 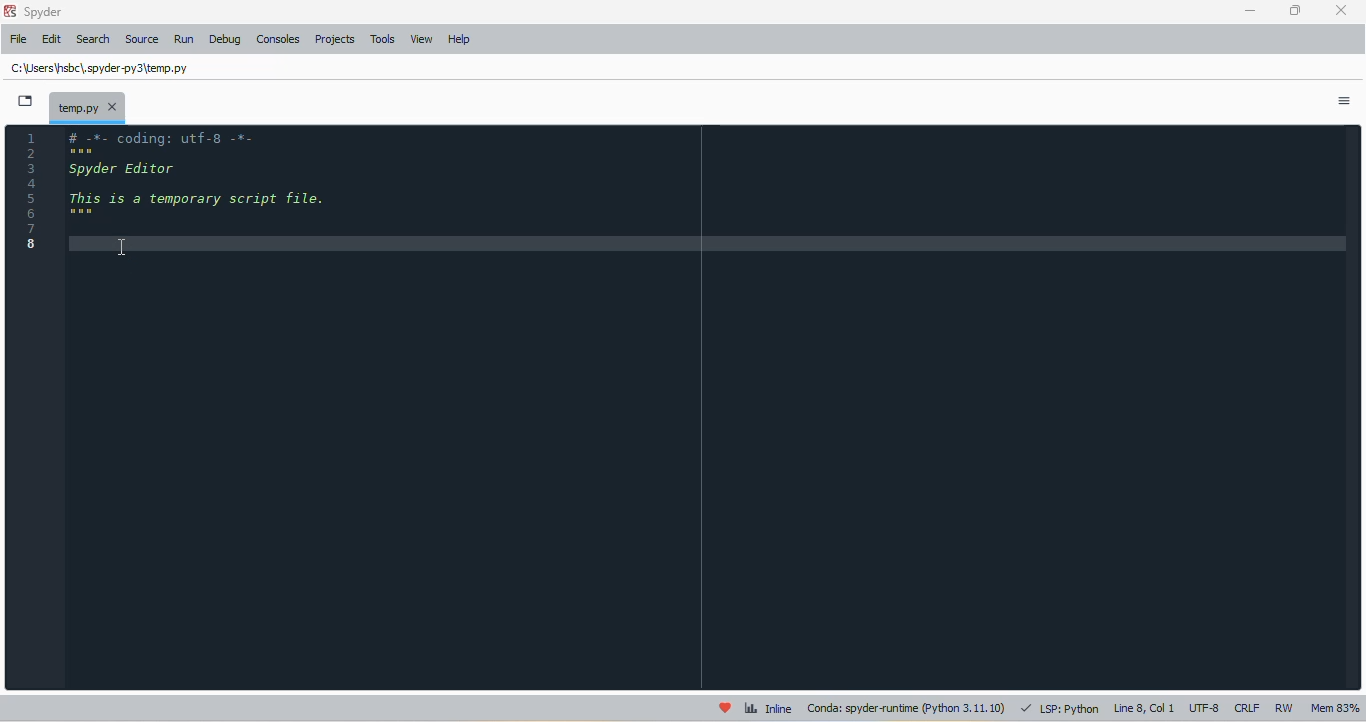 What do you see at coordinates (1205, 709) in the screenshot?
I see `UTF-8` at bounding box center [1205, 709].